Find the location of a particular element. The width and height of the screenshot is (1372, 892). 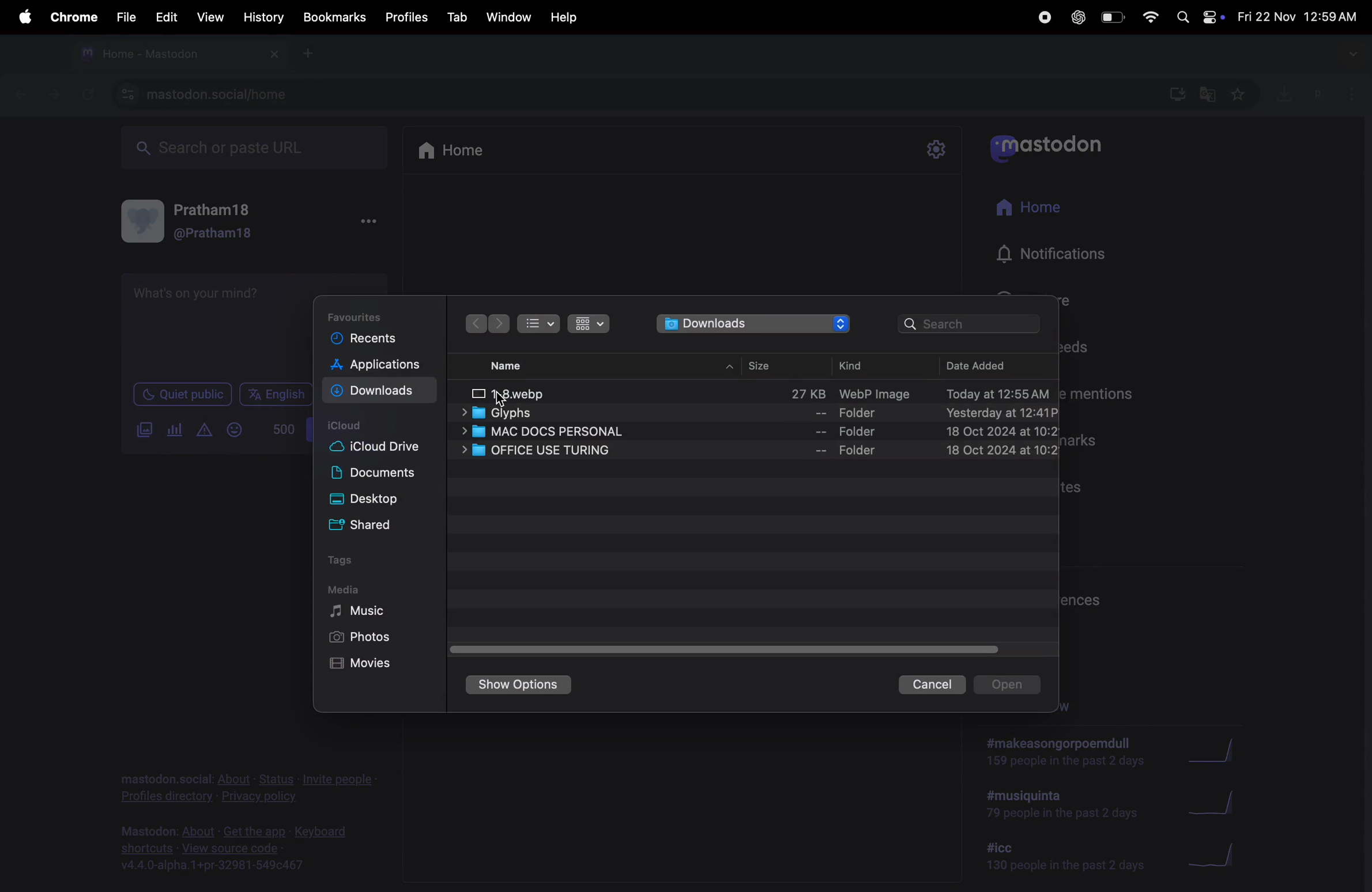

help is located at coordinates (566, 18).